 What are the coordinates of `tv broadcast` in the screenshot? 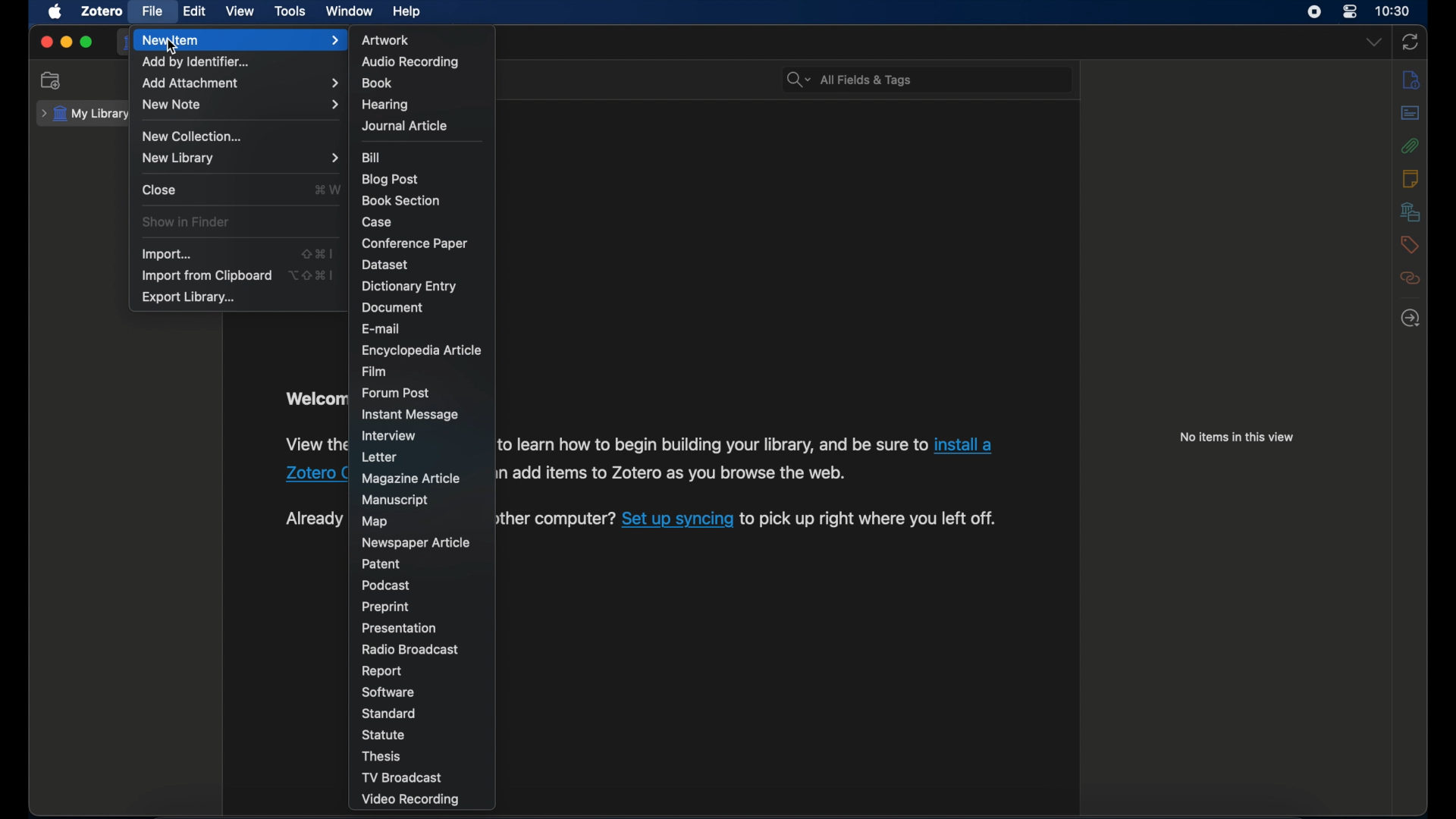 It's located at (402, 777).